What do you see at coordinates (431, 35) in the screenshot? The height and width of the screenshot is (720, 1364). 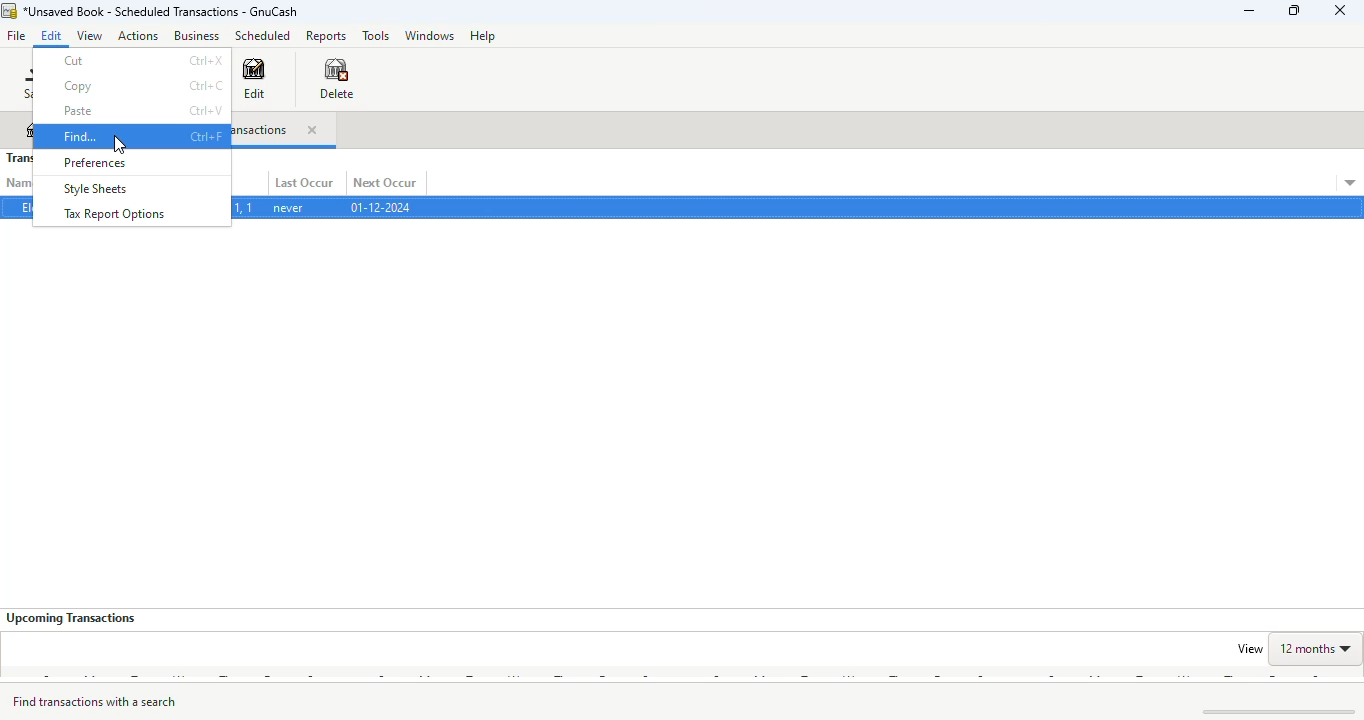 I see `windows` at bounding box center [431, 35].